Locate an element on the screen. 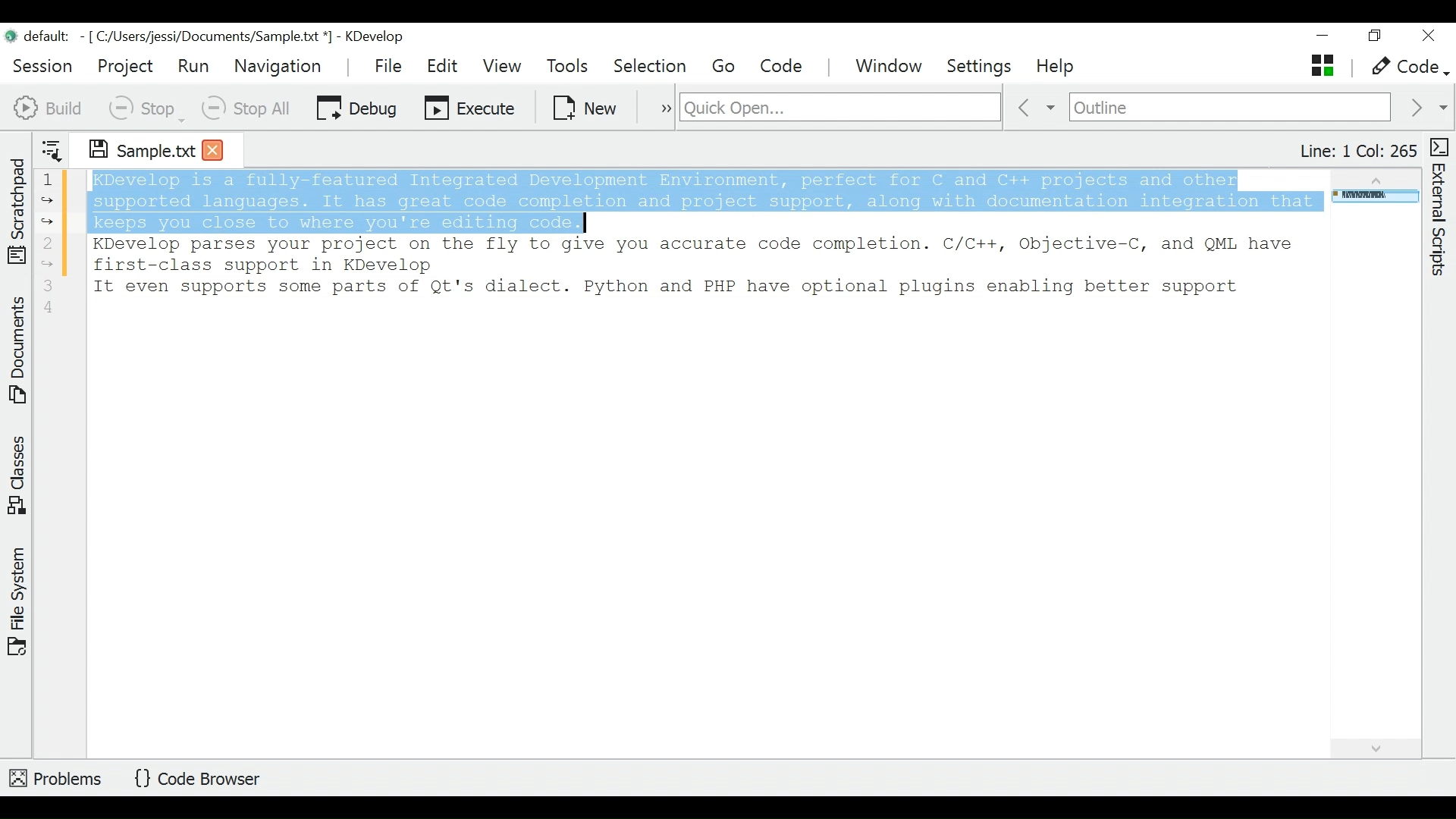 Image resolution: width=1456 pixels, height=819 pixels. minimize is located at coordinates (1325, 37).